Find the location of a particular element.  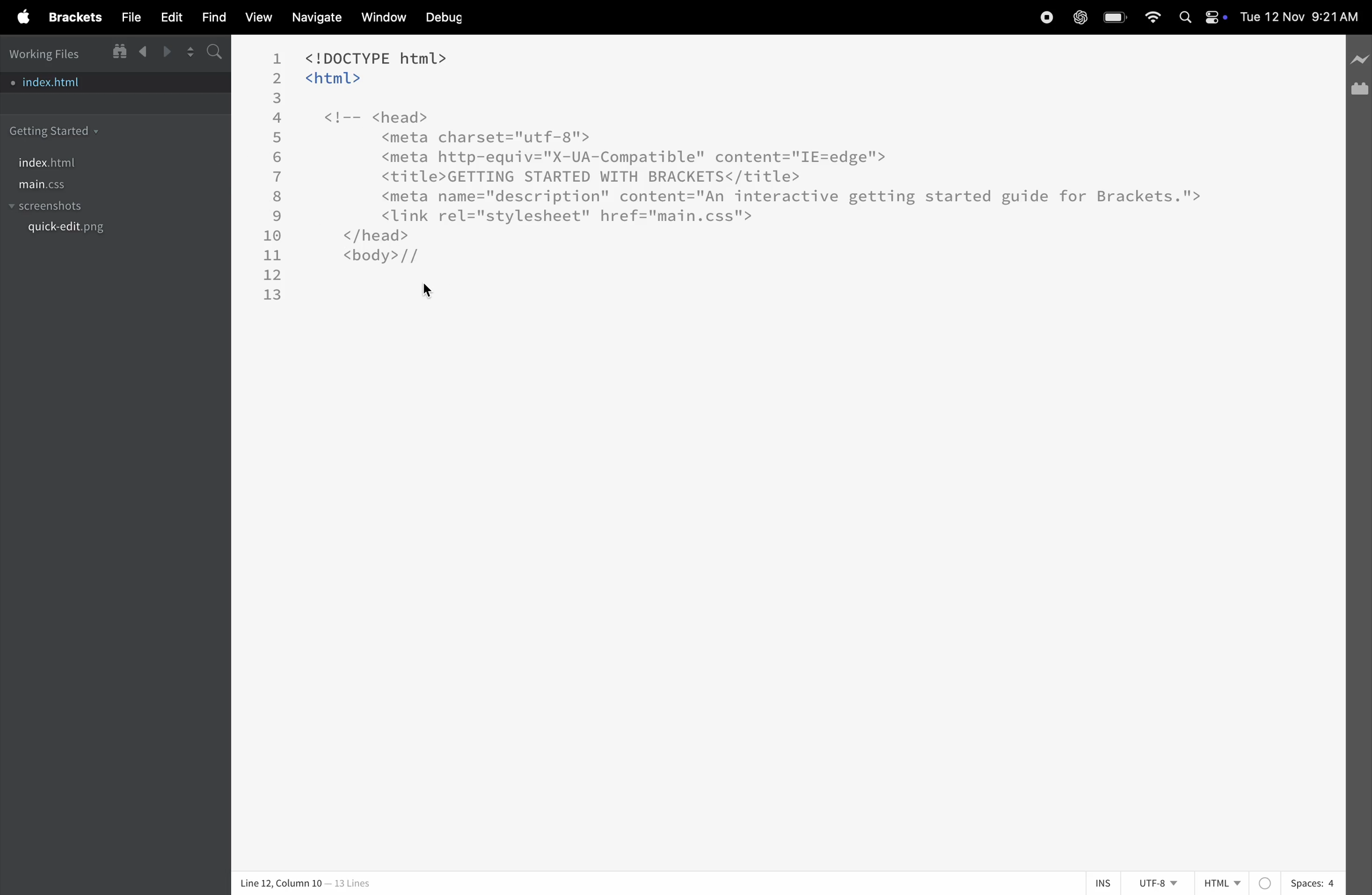

quickedit.png is located at coordinates (87, 231).